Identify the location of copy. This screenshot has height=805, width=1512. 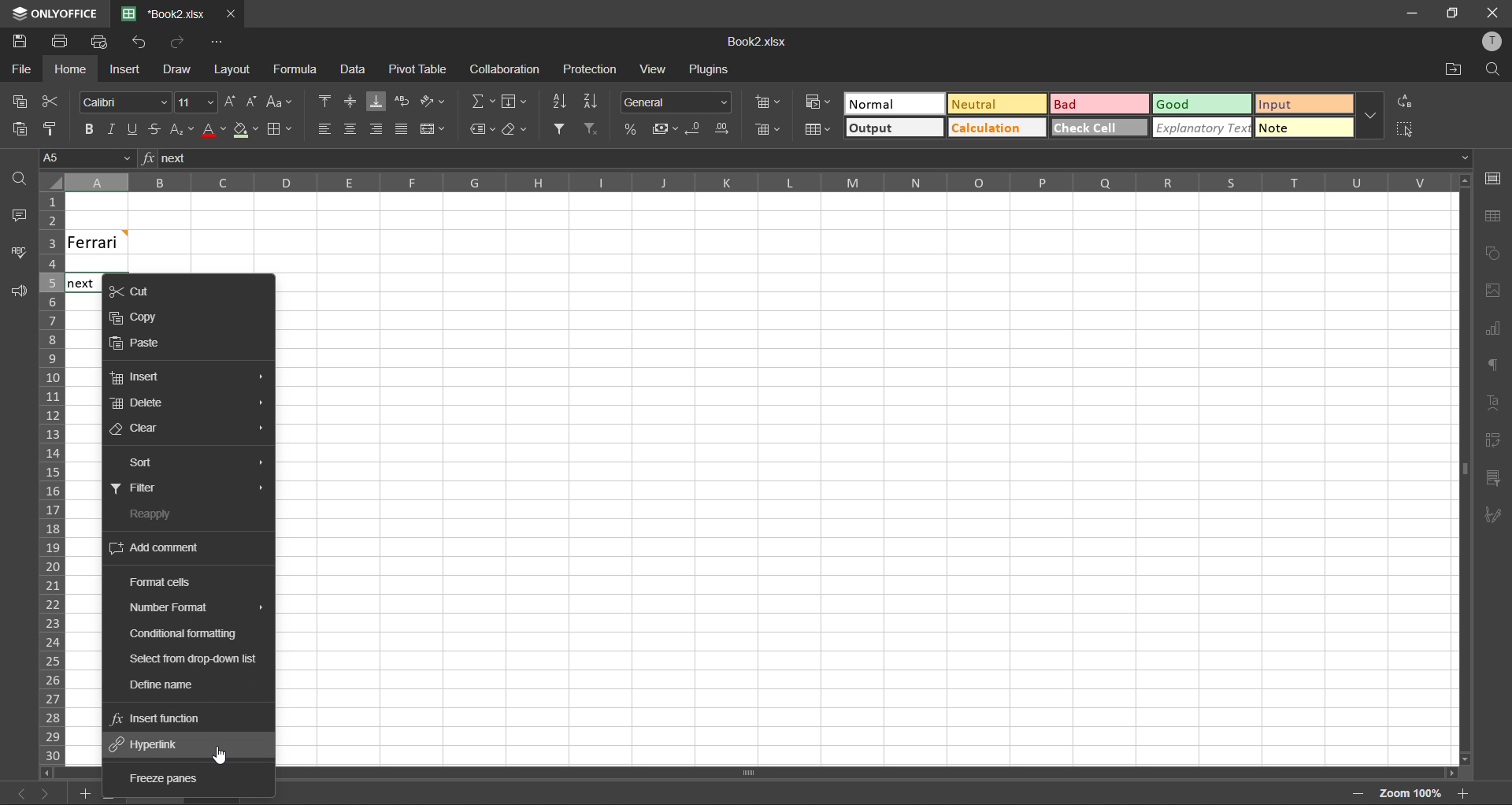
(139, 321).